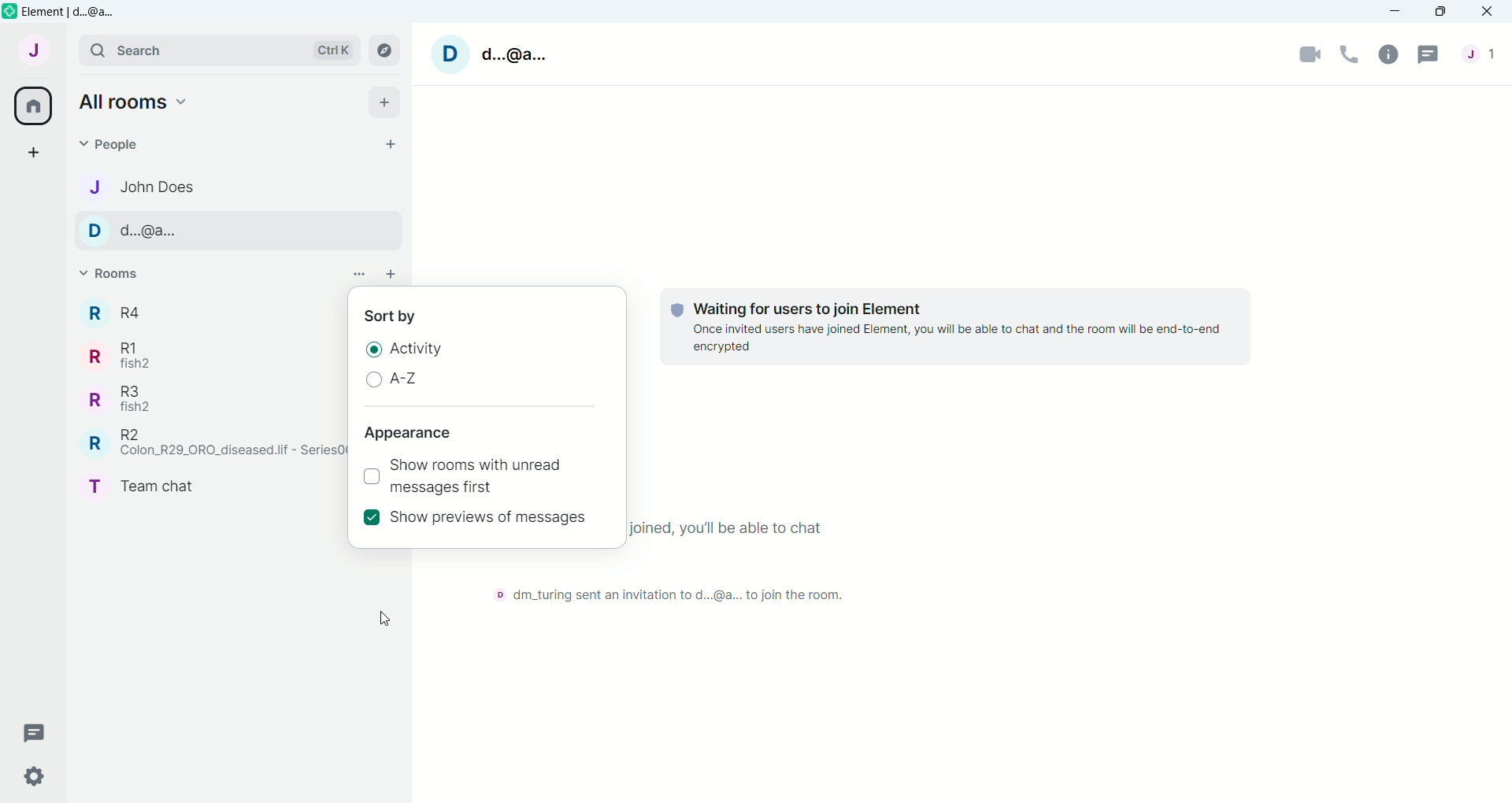  I want to click on Create a space, so click(36, 151).